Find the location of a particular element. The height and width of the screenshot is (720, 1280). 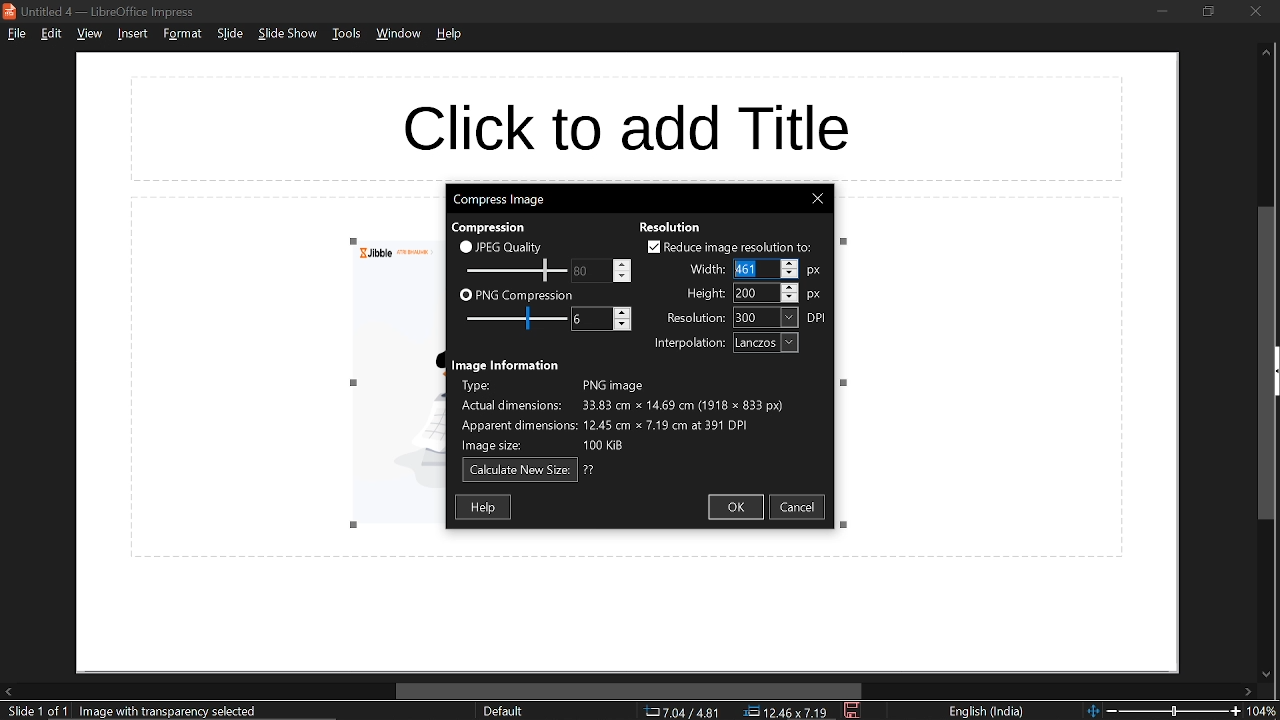

vertical scrollbar is located at coordinates (1267, 363).